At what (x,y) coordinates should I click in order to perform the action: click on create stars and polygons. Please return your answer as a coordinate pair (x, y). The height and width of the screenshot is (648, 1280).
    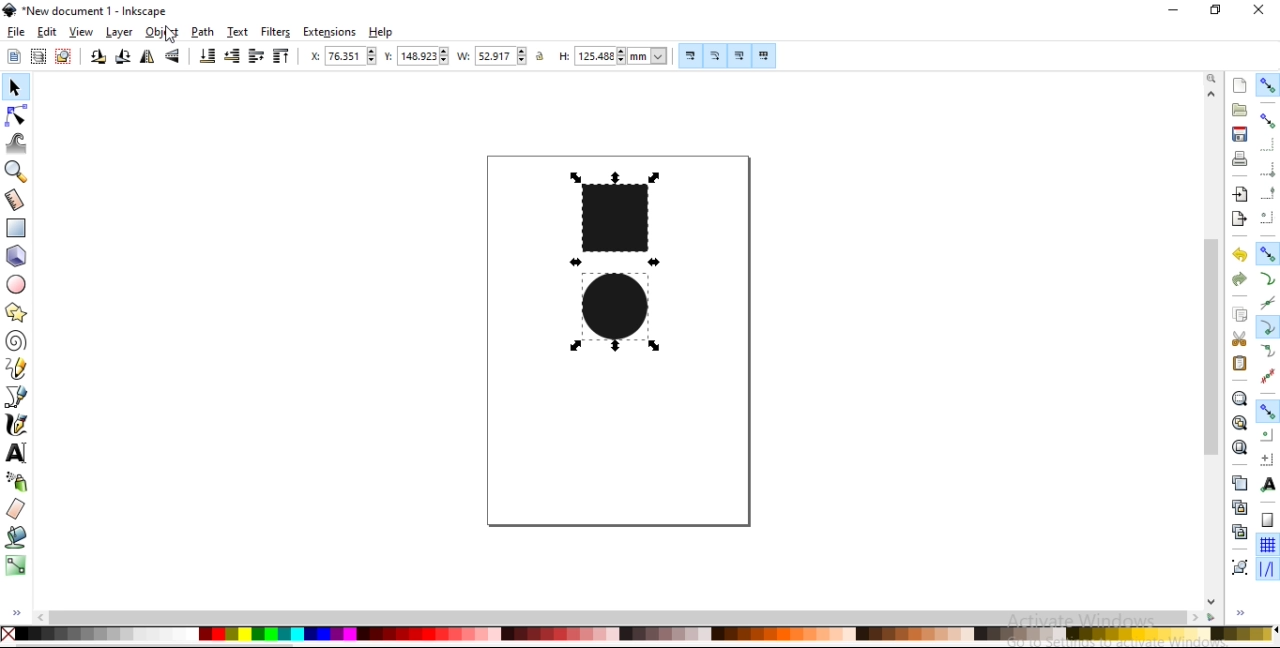
    Looking at the image, I should click on (18, 312).